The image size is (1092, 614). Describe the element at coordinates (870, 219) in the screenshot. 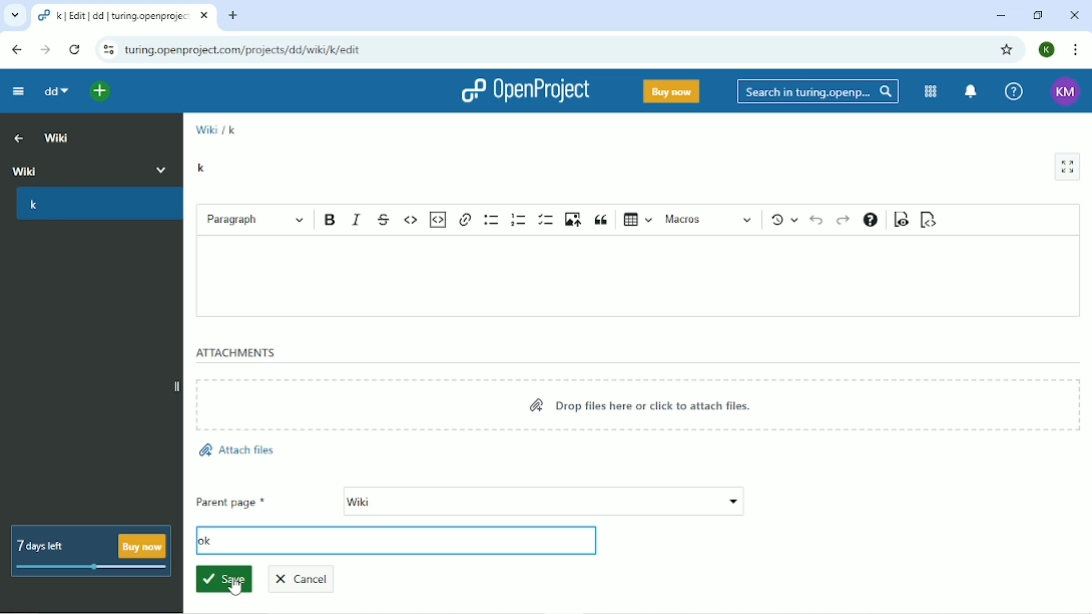

I see `Text formatting help` at that location.